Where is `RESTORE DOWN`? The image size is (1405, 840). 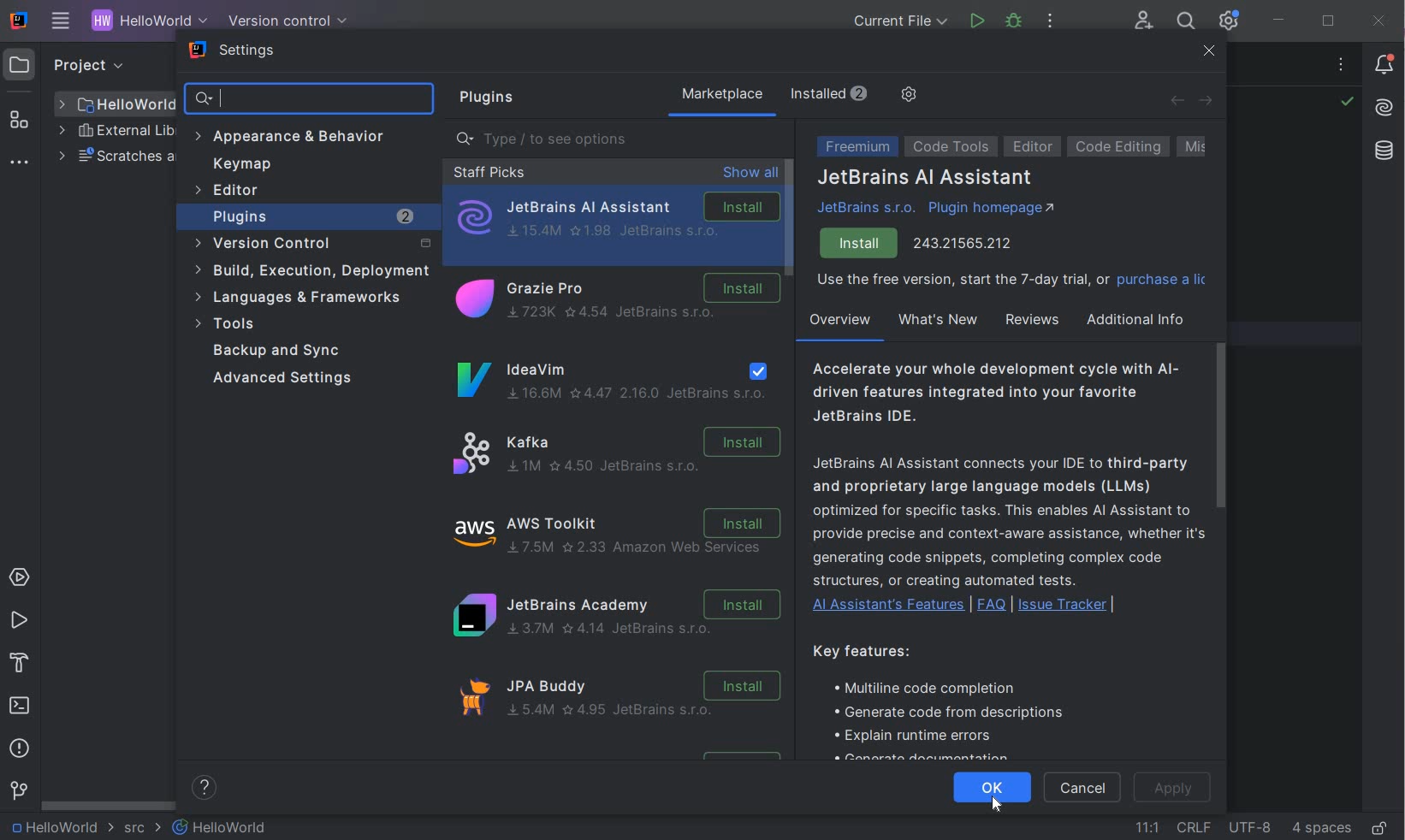
RESTORE DOWN is located at coordinates (1328, 23).